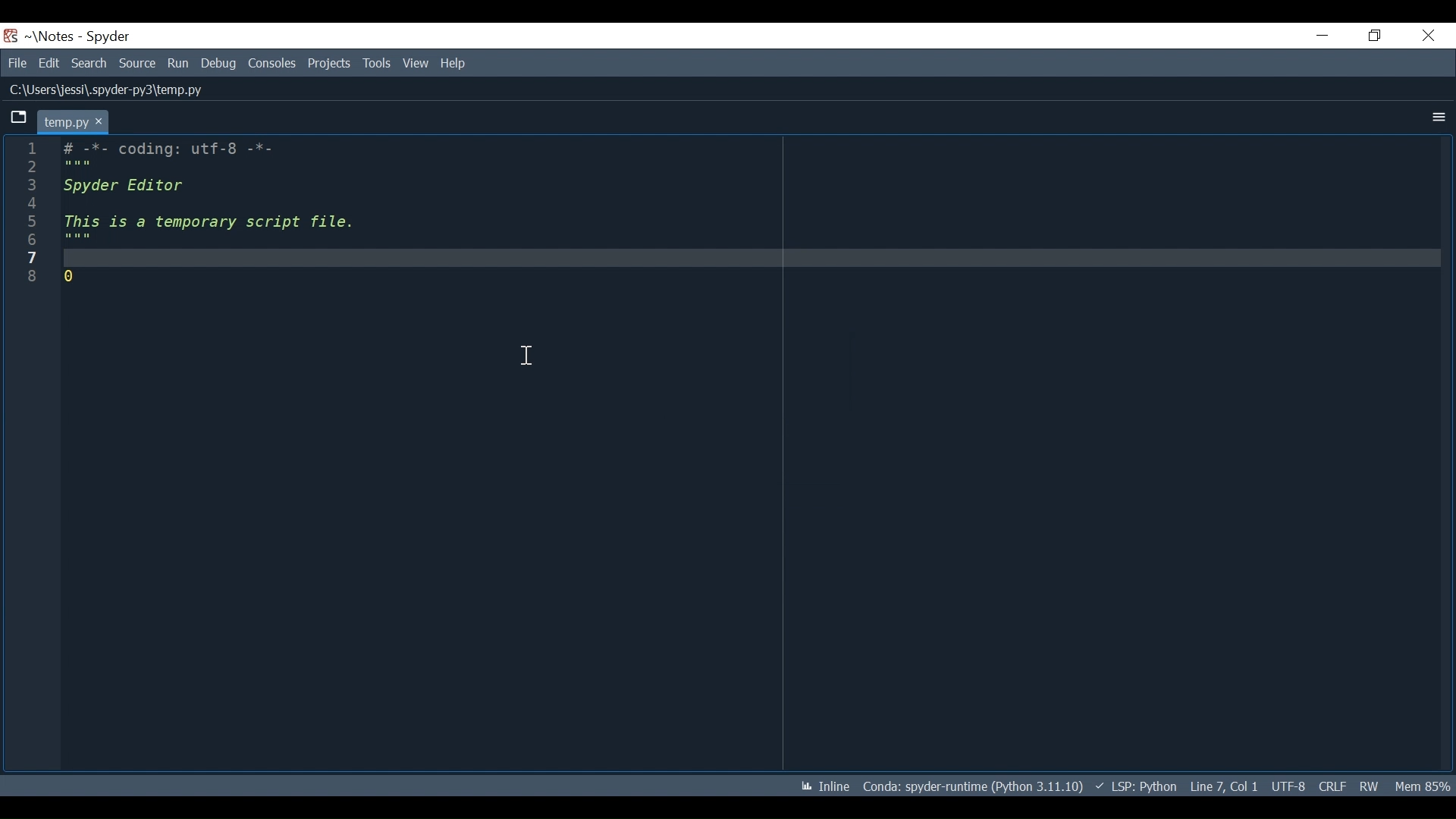 This screenshot has width=1456, height=819. What do you see at coordinates (1428, 34) in the screenshot?
I see `Close` at bounding box center [1428, 34].